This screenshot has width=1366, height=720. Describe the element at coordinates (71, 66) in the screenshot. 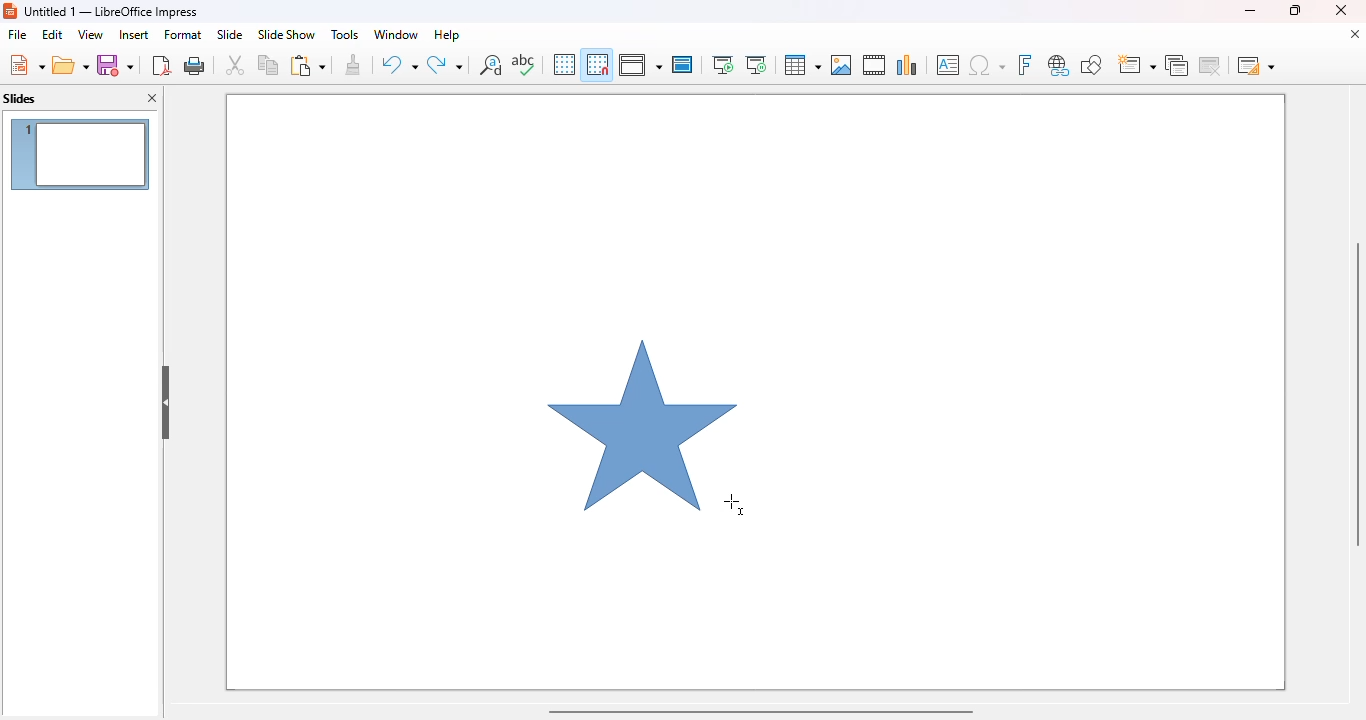

I see `open` at that location.